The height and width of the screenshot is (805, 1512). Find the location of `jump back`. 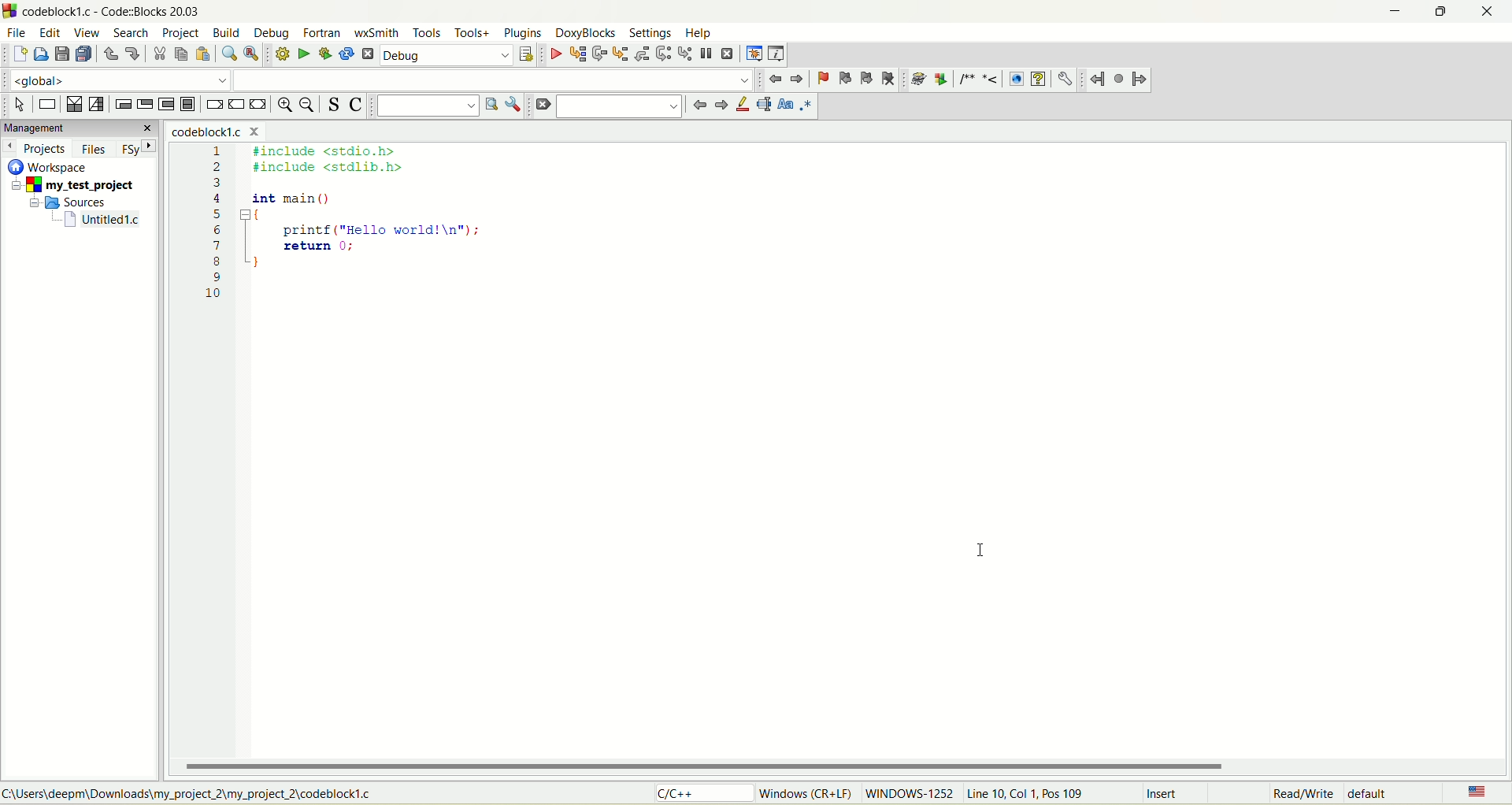

jump back is located at coordinates (776, 80).